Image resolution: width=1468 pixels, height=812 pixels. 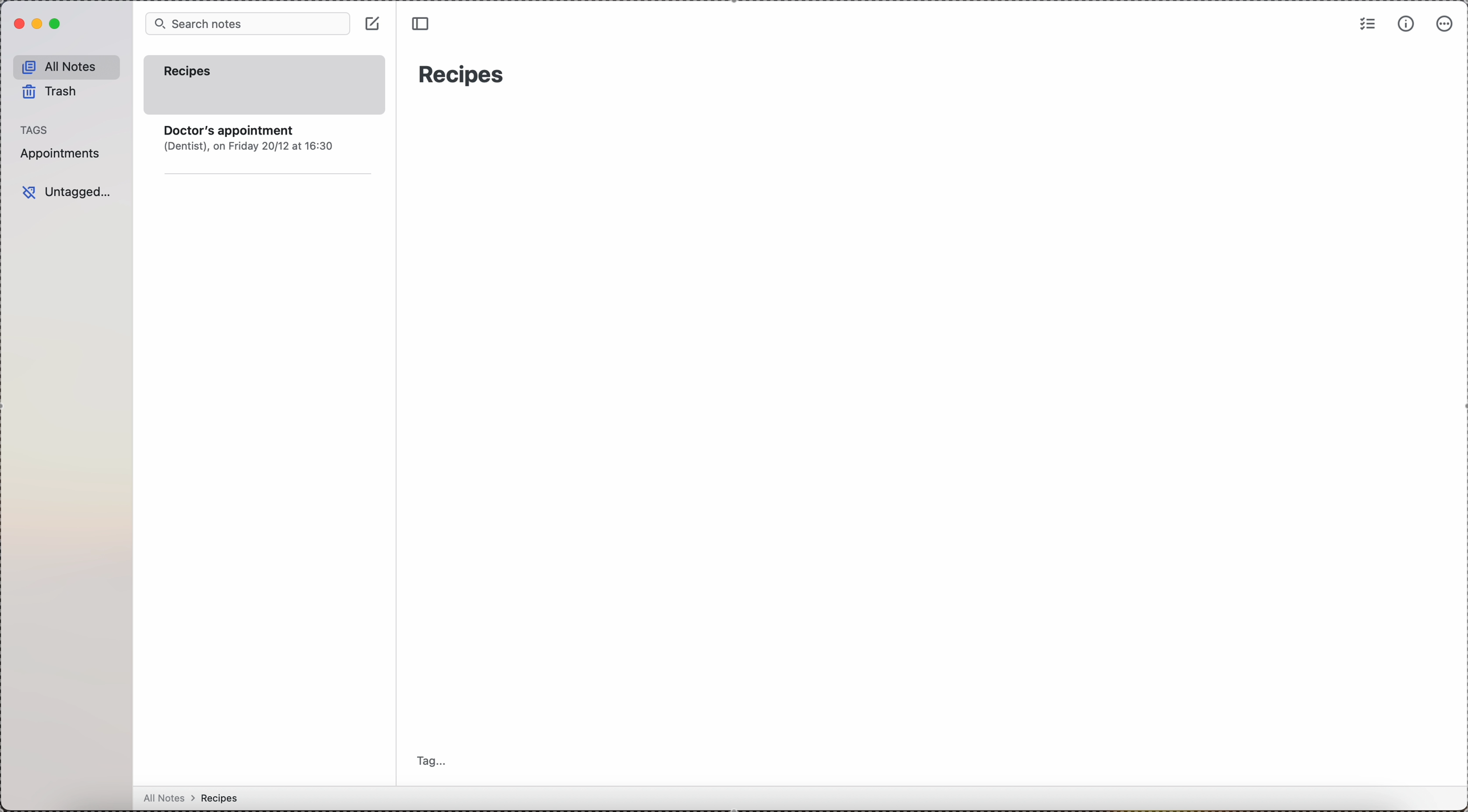 I want to click on all notes, so click(x=67, y=66).